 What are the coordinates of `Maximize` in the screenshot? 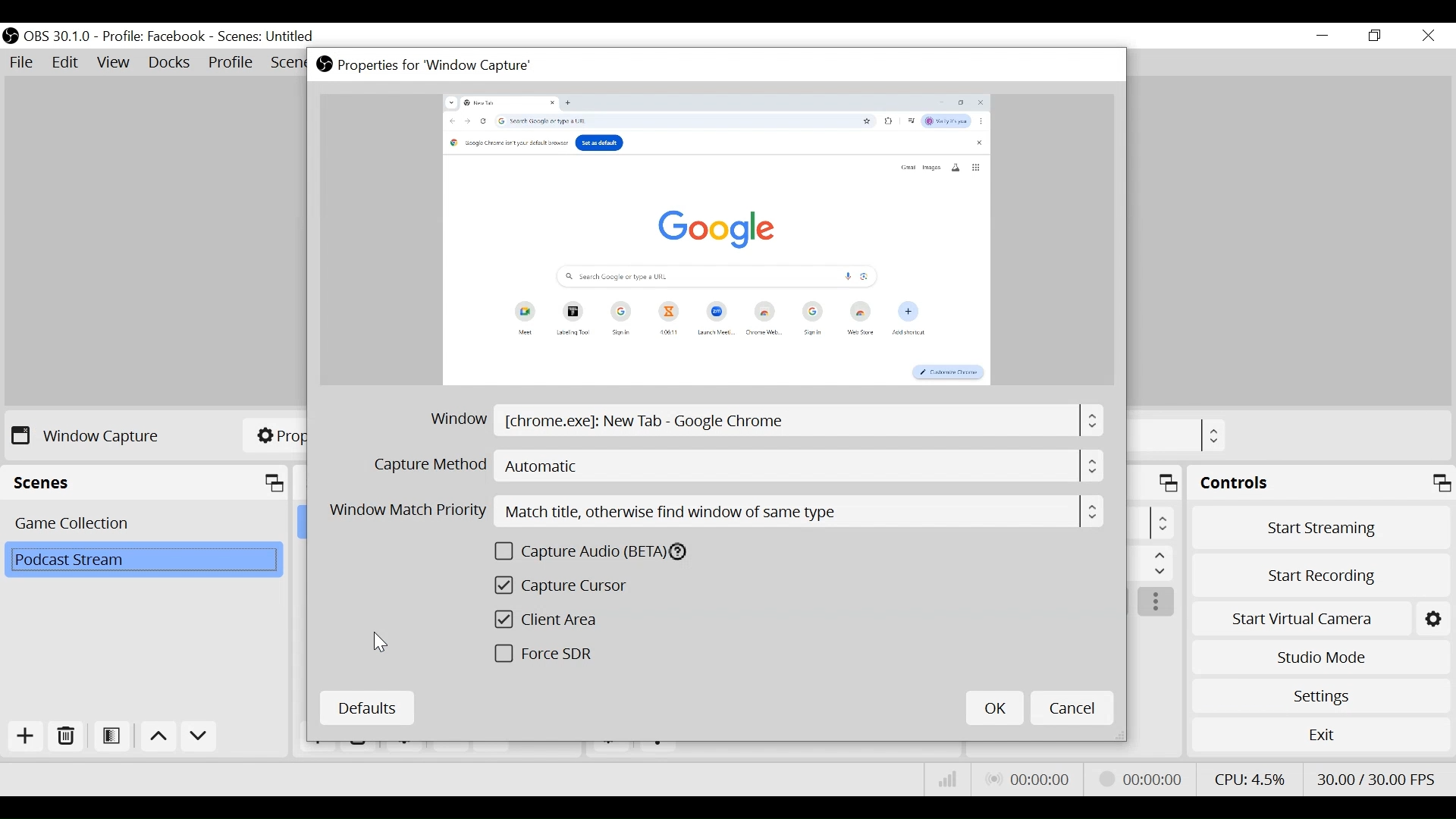 It's located at (1169, 484).